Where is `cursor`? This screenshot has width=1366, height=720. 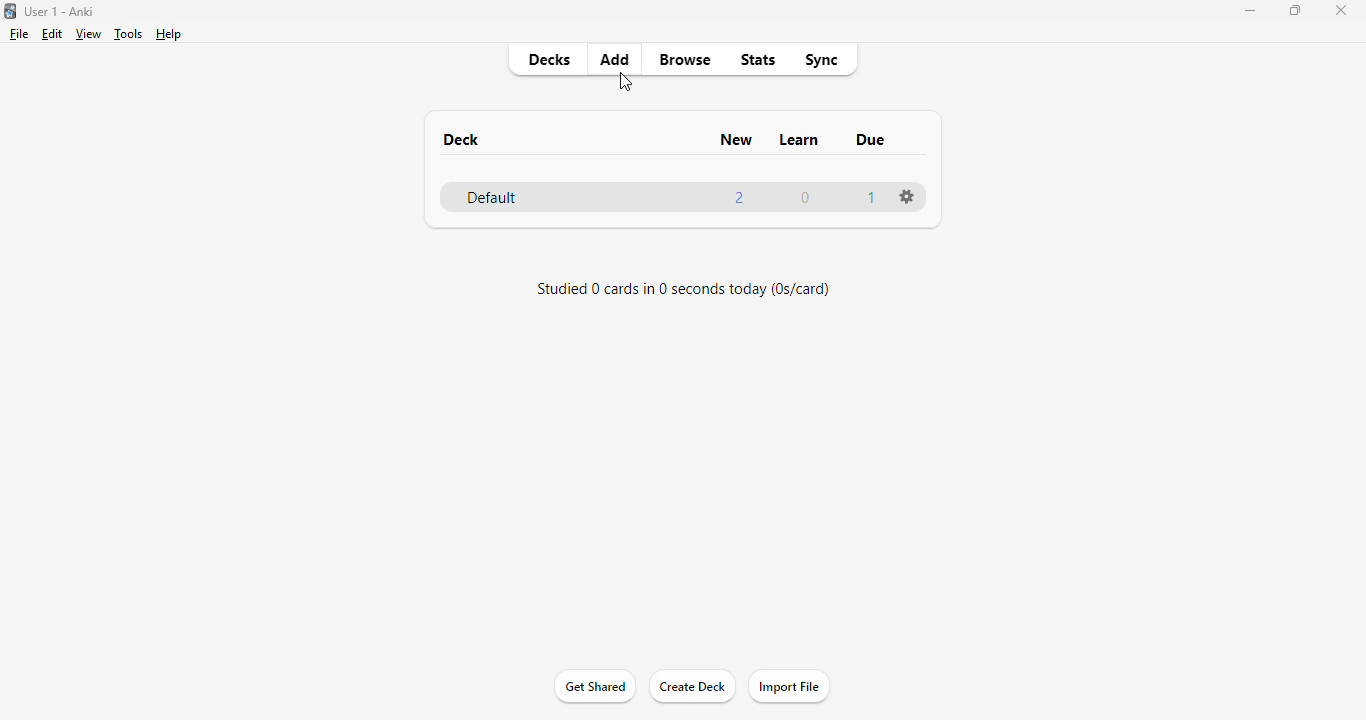
cursor is located at coordinates (625, 83).